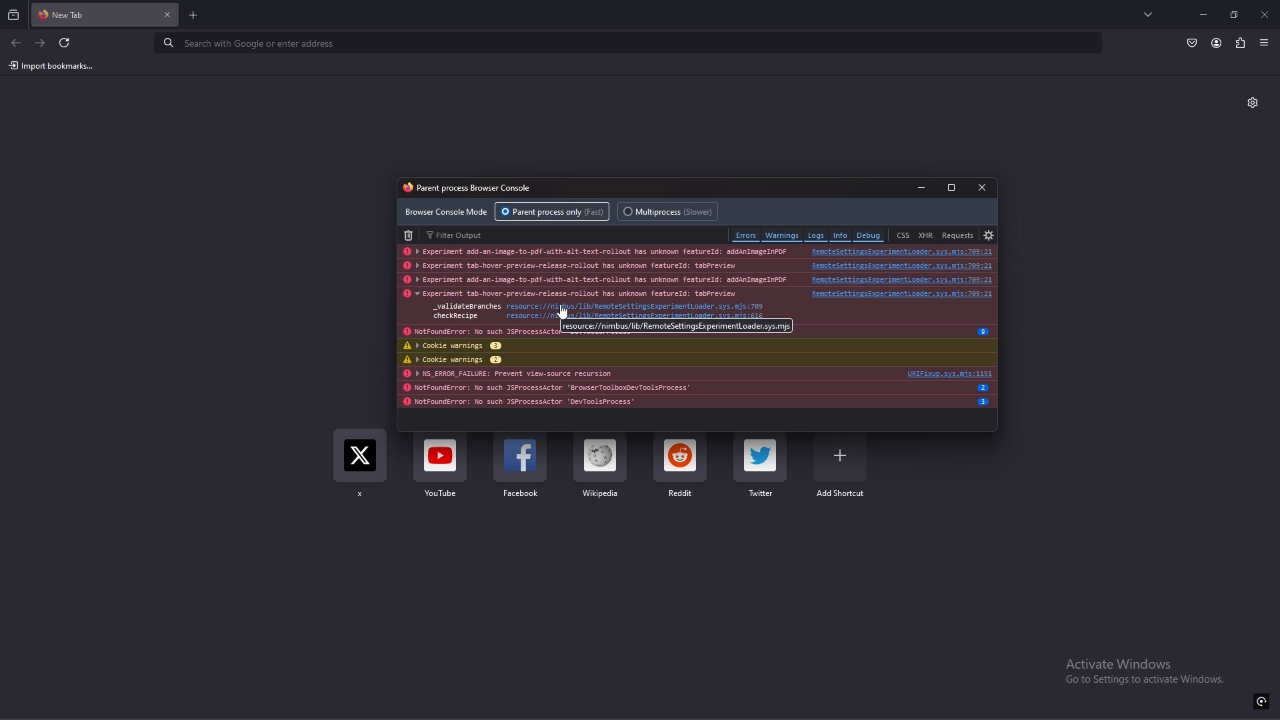 This screenshot has width=1280, height=720. I want to click on log, so click(594, 252).